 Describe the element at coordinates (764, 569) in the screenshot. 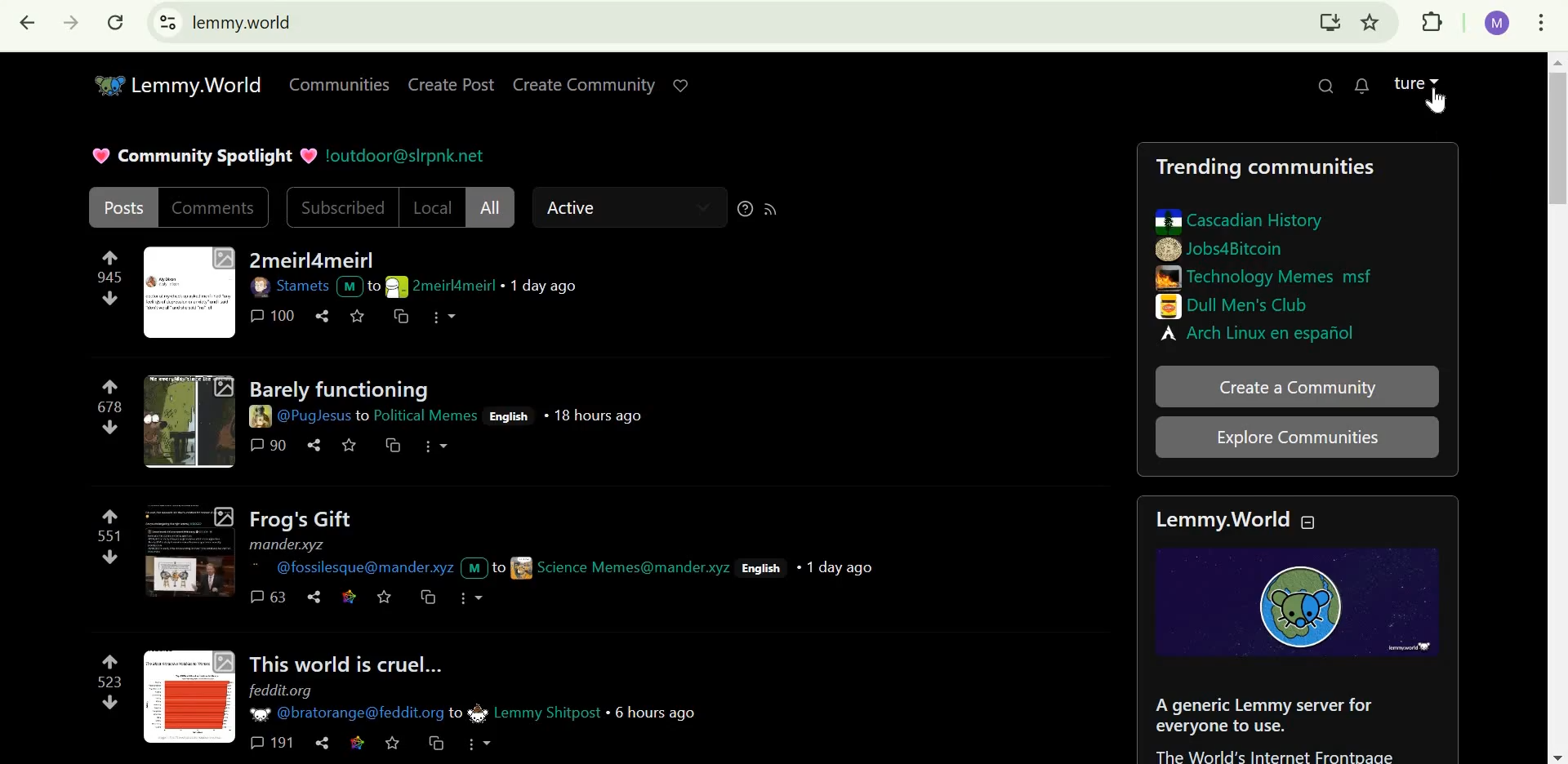

I see `English` at that location.